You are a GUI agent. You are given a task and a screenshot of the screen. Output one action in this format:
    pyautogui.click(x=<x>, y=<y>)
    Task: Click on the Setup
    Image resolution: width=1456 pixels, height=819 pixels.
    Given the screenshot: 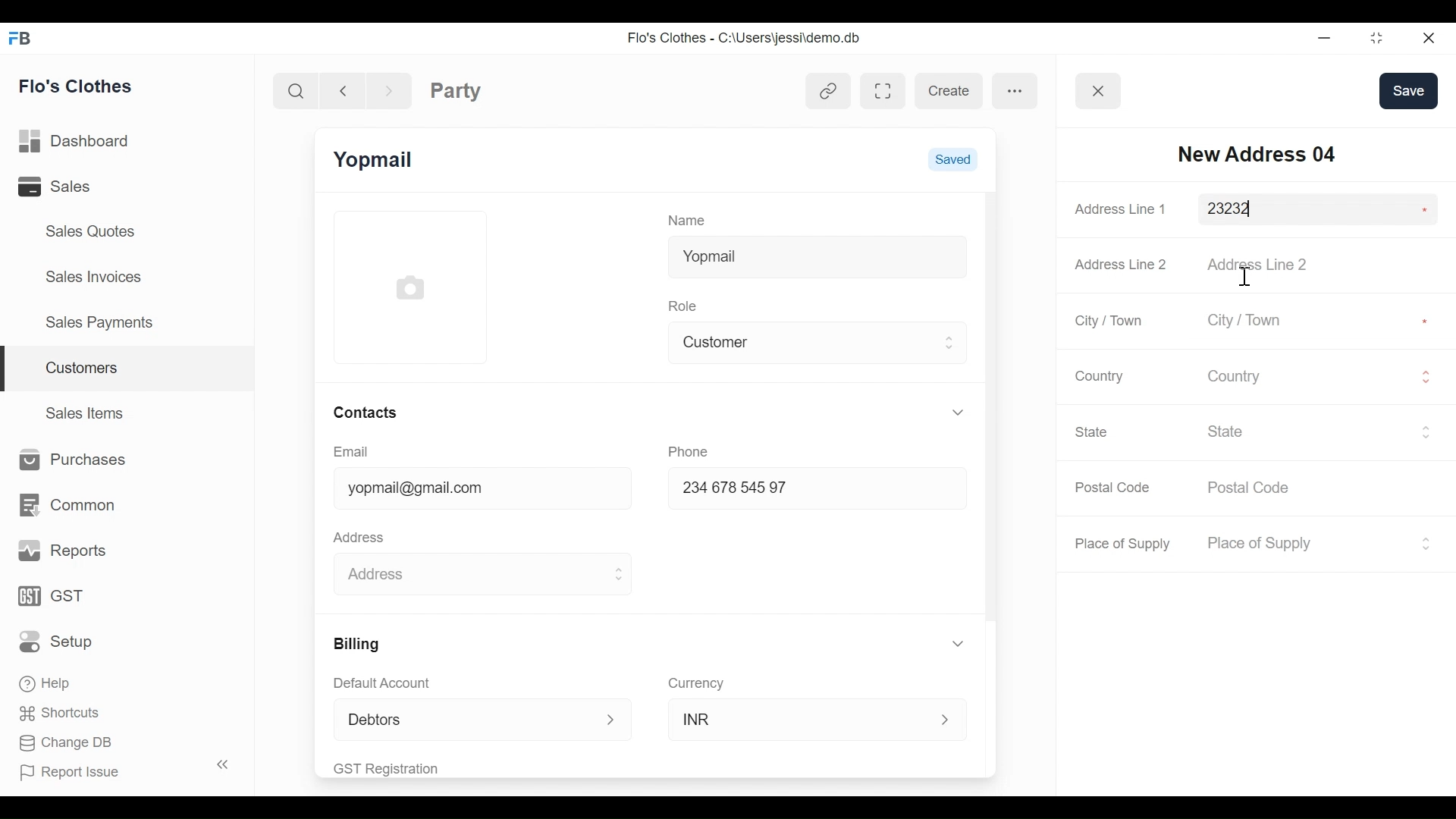 What is the action you would take?
    pyautogui.click(x=60, y=641)
    